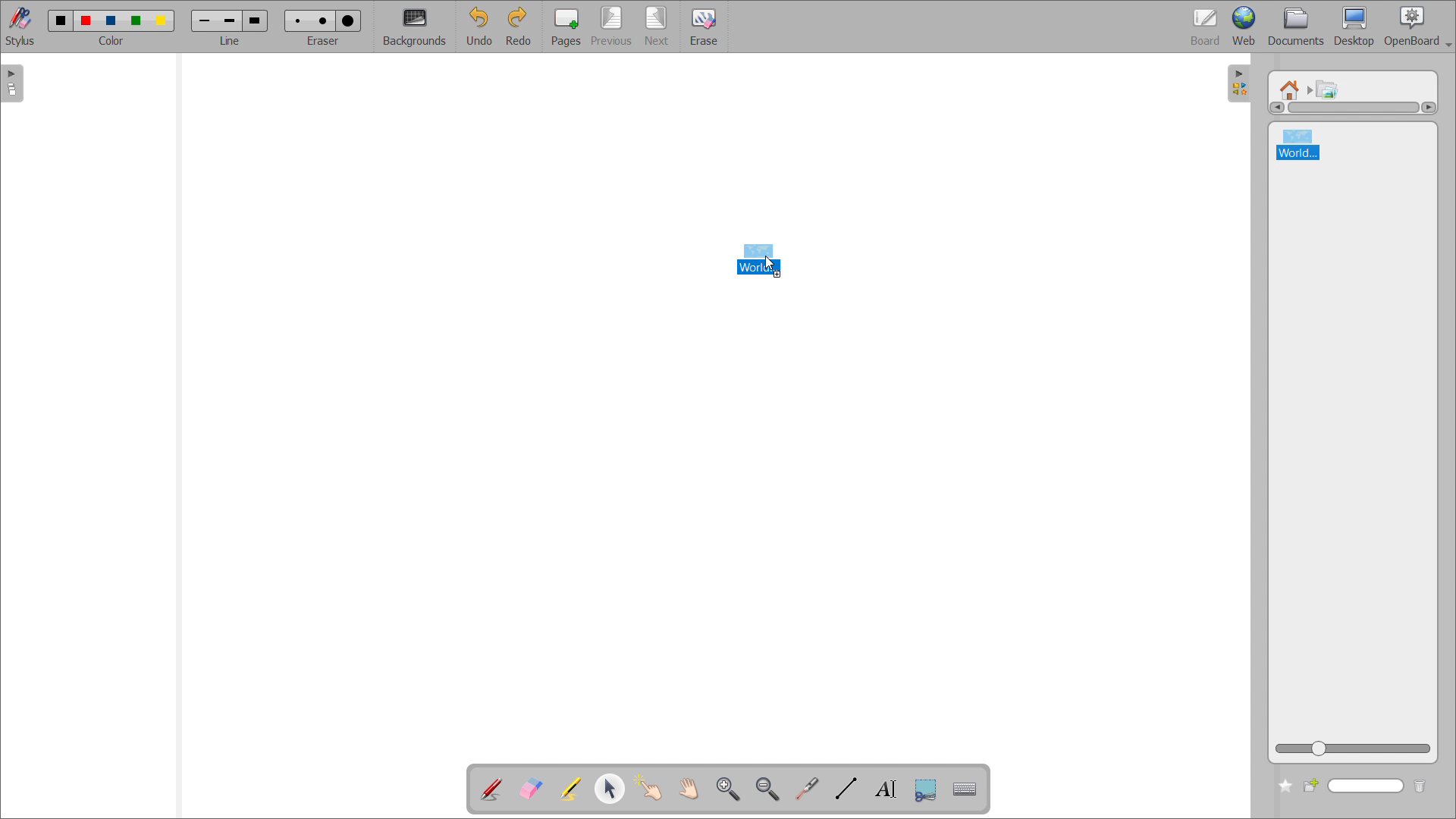 This screenshot has width=1456, height=819. I want to click on image file being dragged to boardspace, so click(759, 262).